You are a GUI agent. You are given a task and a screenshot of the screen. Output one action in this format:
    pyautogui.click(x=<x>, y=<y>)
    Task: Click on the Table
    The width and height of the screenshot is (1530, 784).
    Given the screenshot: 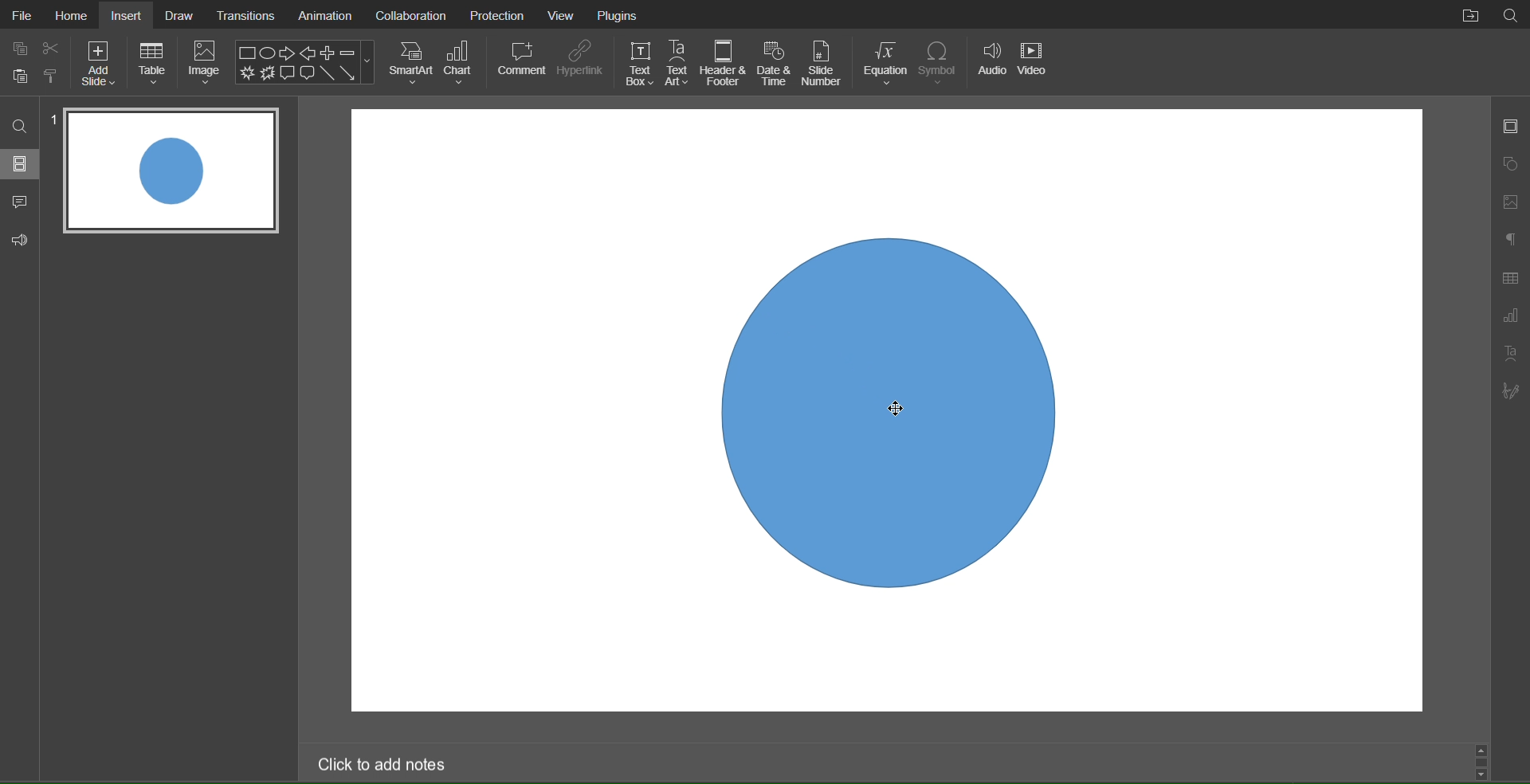 What is the action you would take?
    pyautogui.click(x=154, y=62)
    